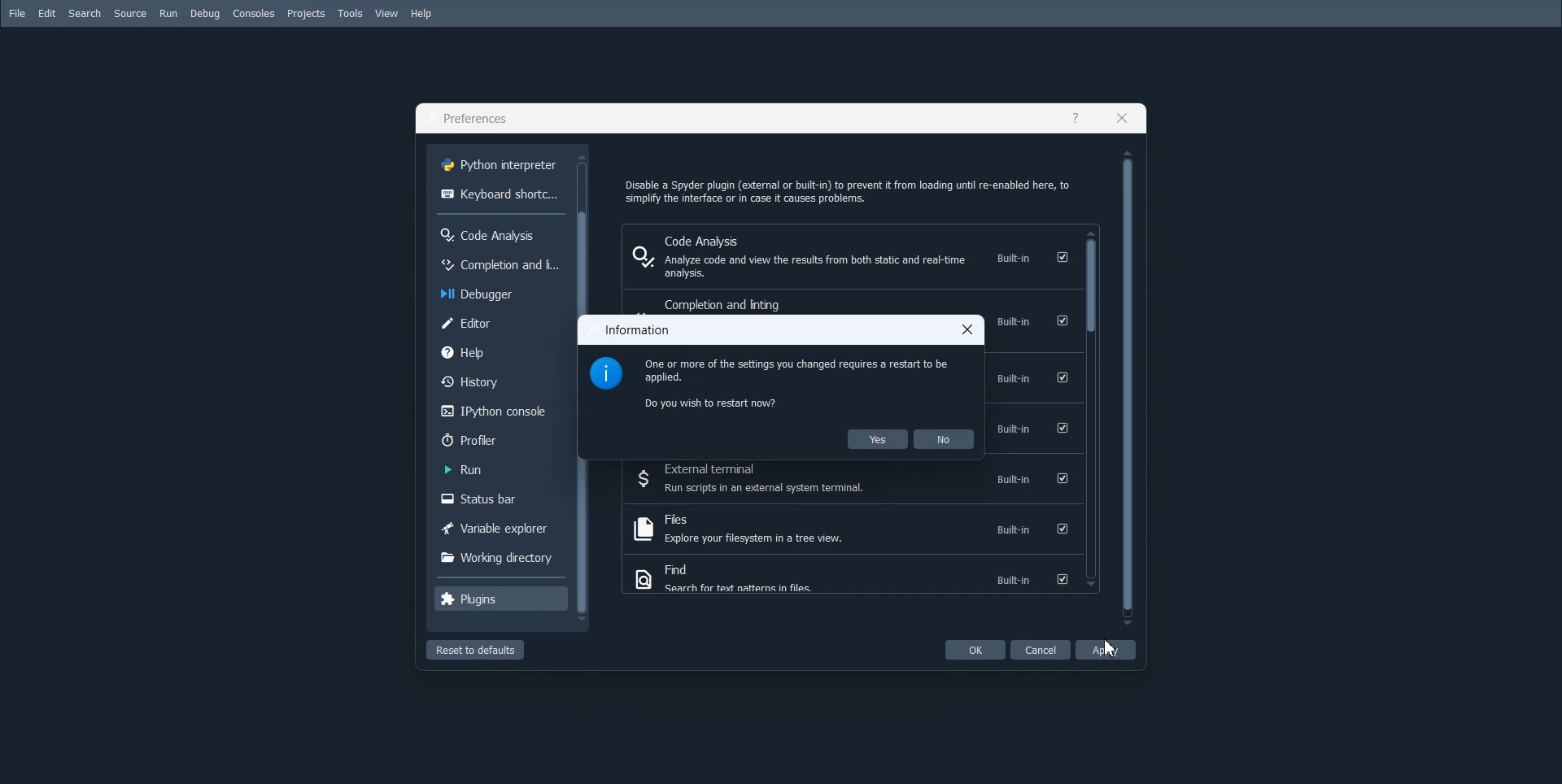 The width and height of the screenshot is (1562, 784). What do you see at coordinates (500, 381) in the screenshot?
I see `History` at bounding box center [500, 381].